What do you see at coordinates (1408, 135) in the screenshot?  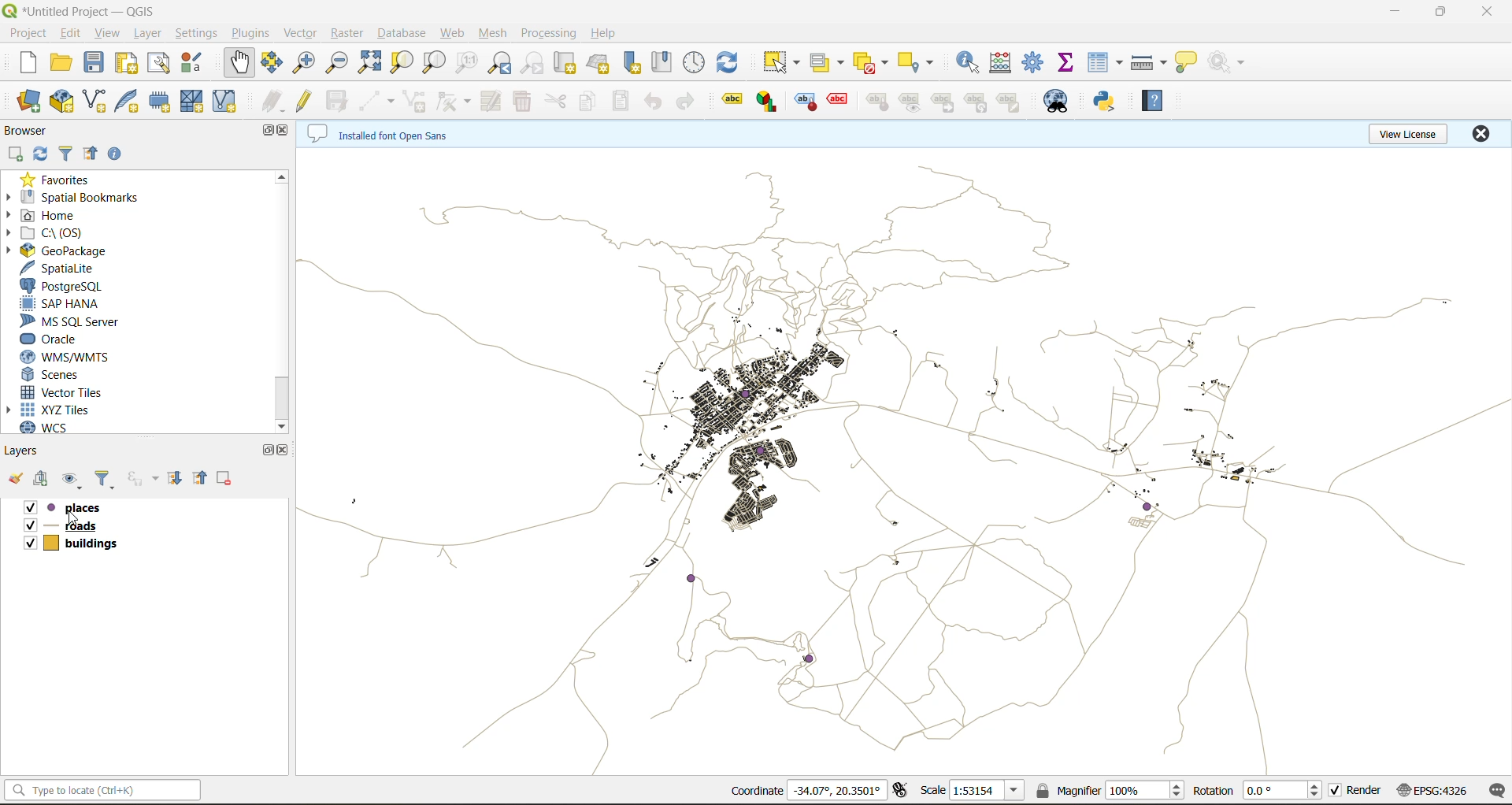 I see `view license` at bounding box center [1408, 135].